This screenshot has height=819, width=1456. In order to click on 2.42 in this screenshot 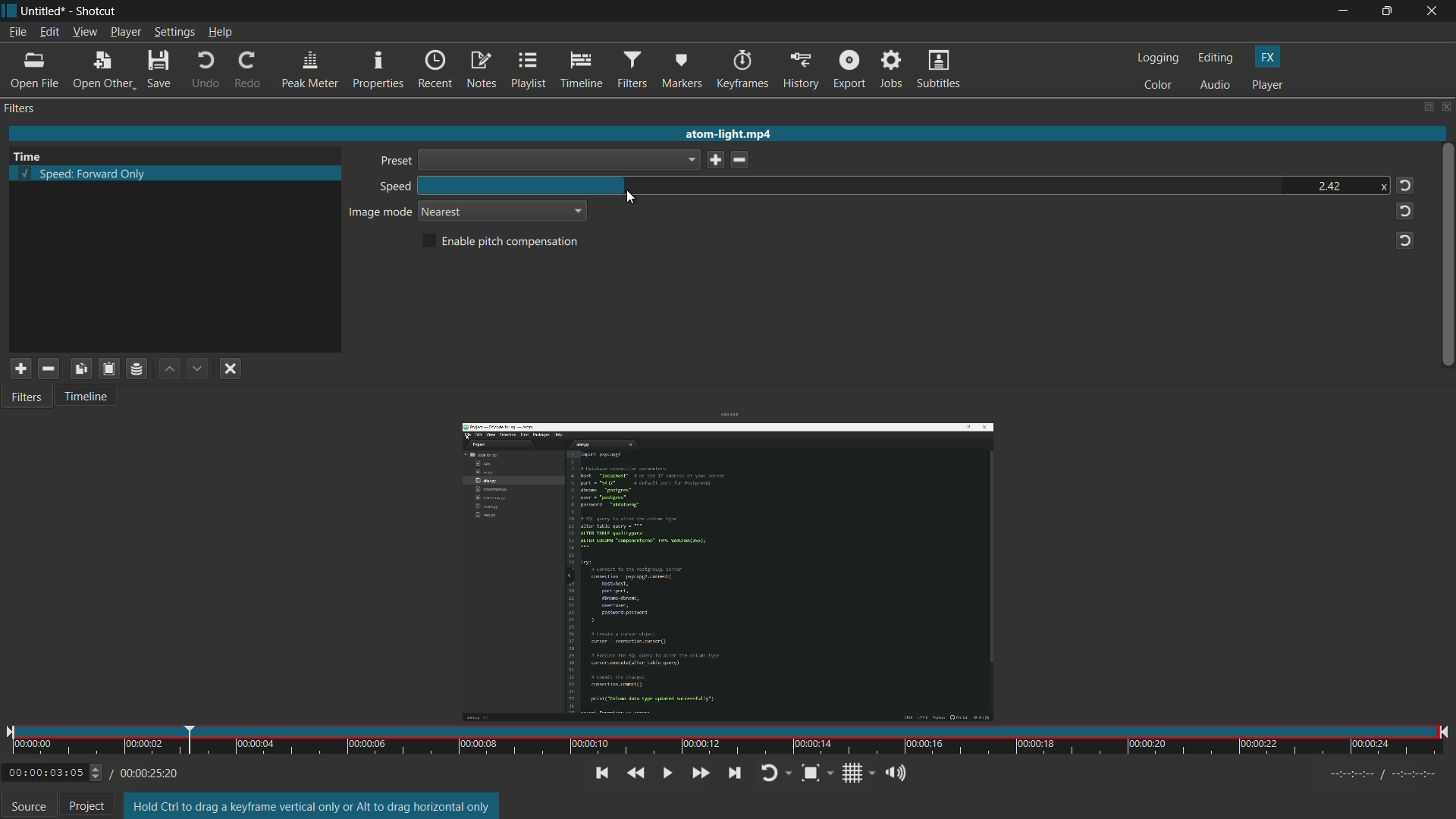, I will do `click(1328, 184)`.